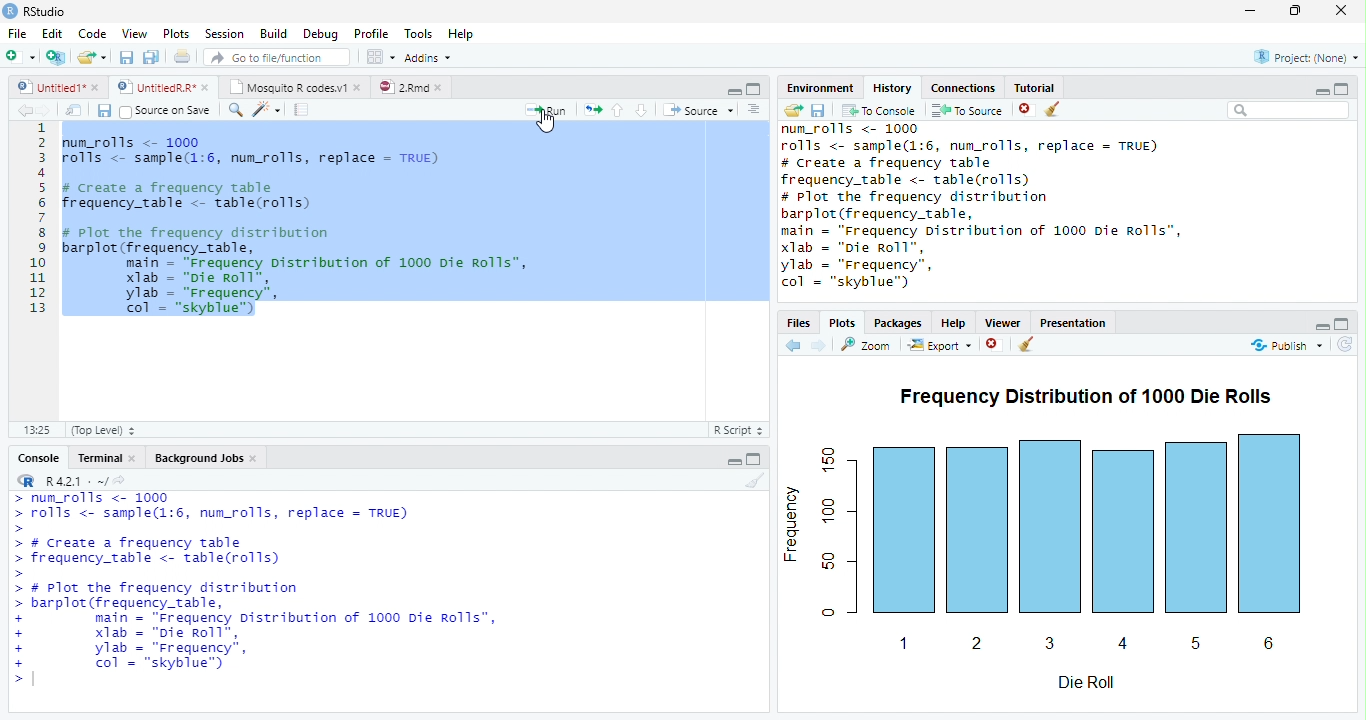 The width and height of the screenshot is (1366, 720). Describe the element at coordinates (109, 457) in the screenshot. I see `Terminal` at that location.